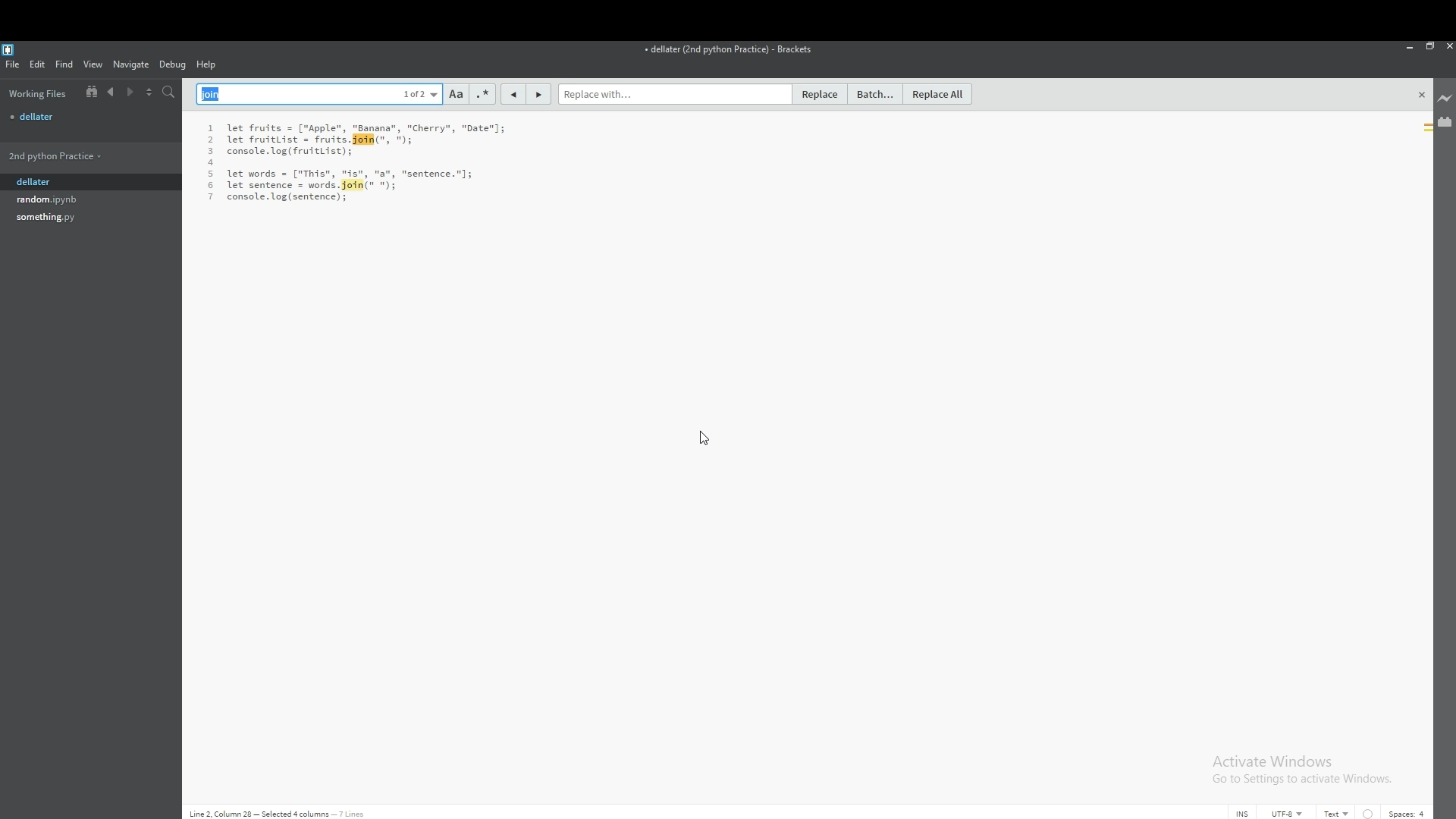 This screenshot has height=819, width=1456. I want to click on resize, so click(1429, 45).